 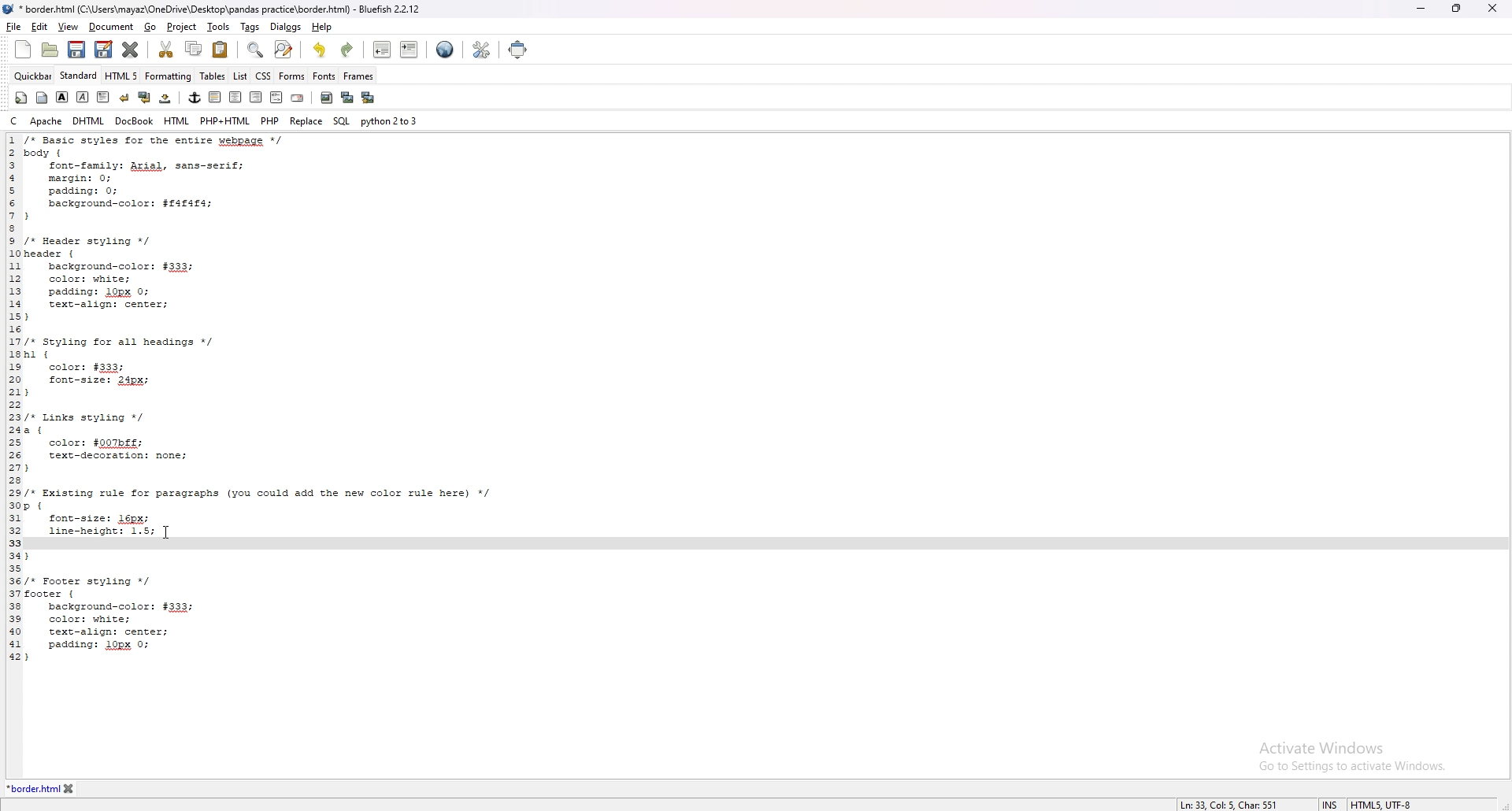 What do you see at coordinates (46, 120) in the screenshot?
I see `apache` at bounding box center [46, 120].